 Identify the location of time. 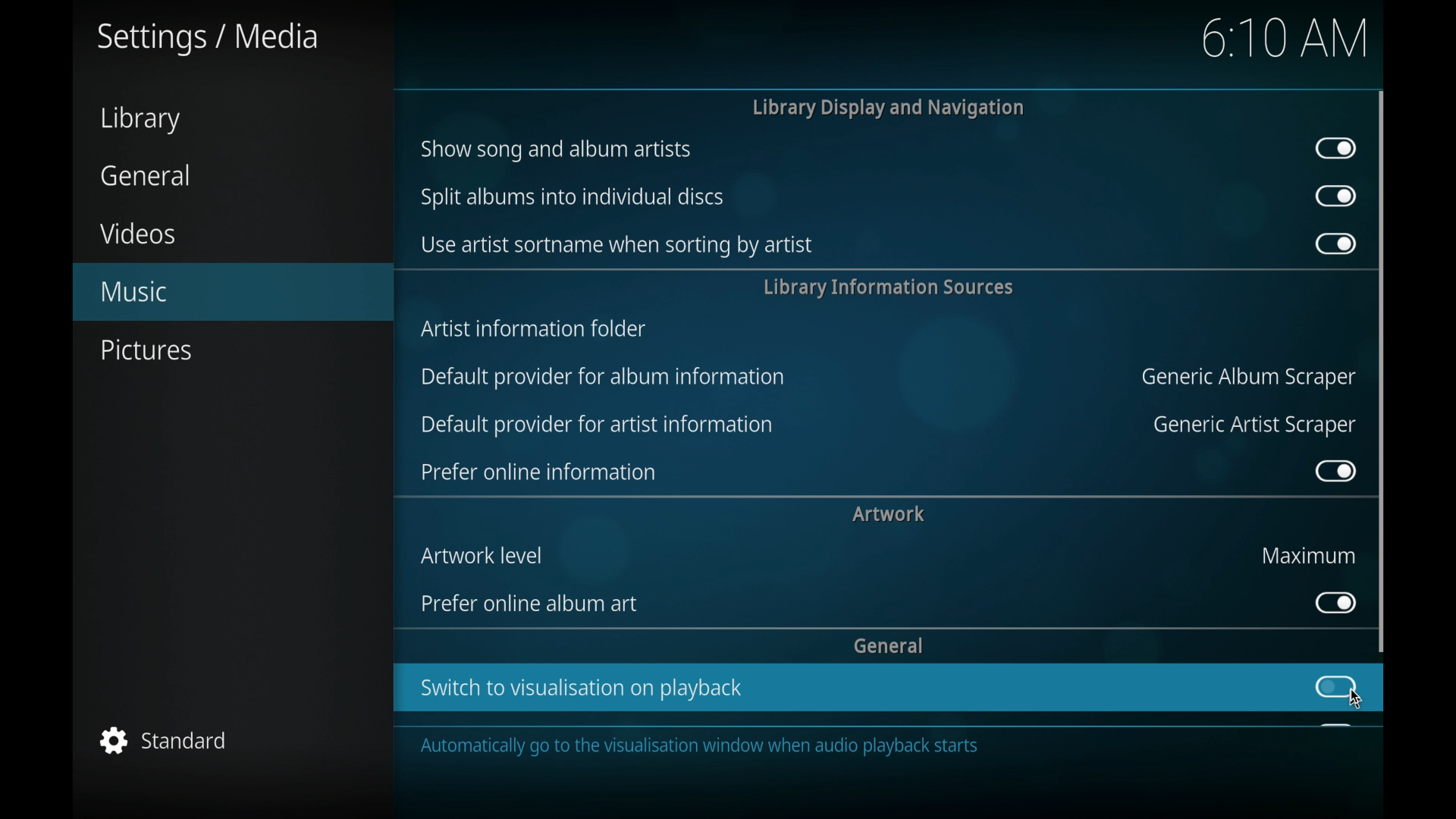
(1285, 37).